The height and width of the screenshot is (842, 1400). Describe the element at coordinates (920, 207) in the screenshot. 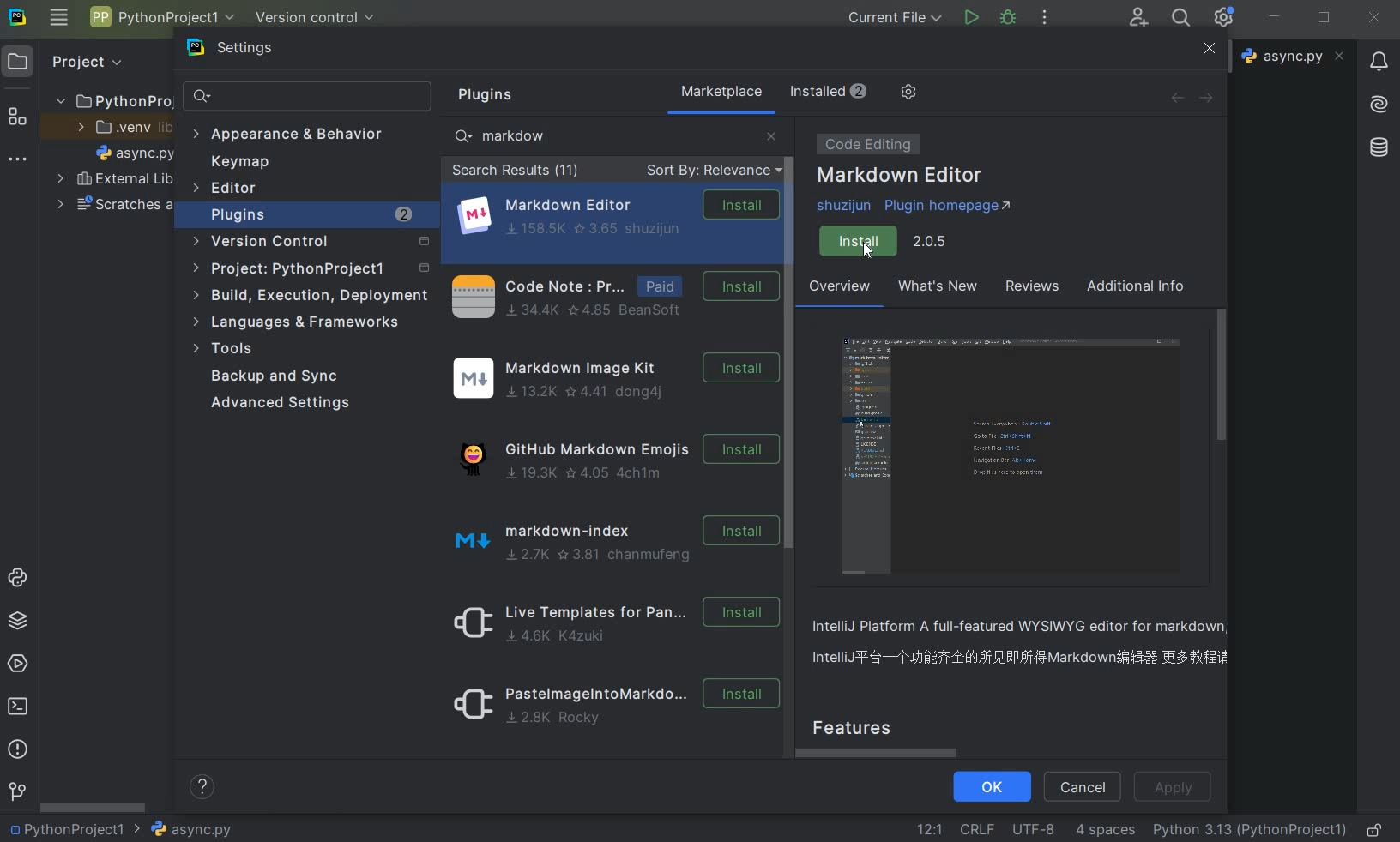

I see `plugin homepage` at that location.